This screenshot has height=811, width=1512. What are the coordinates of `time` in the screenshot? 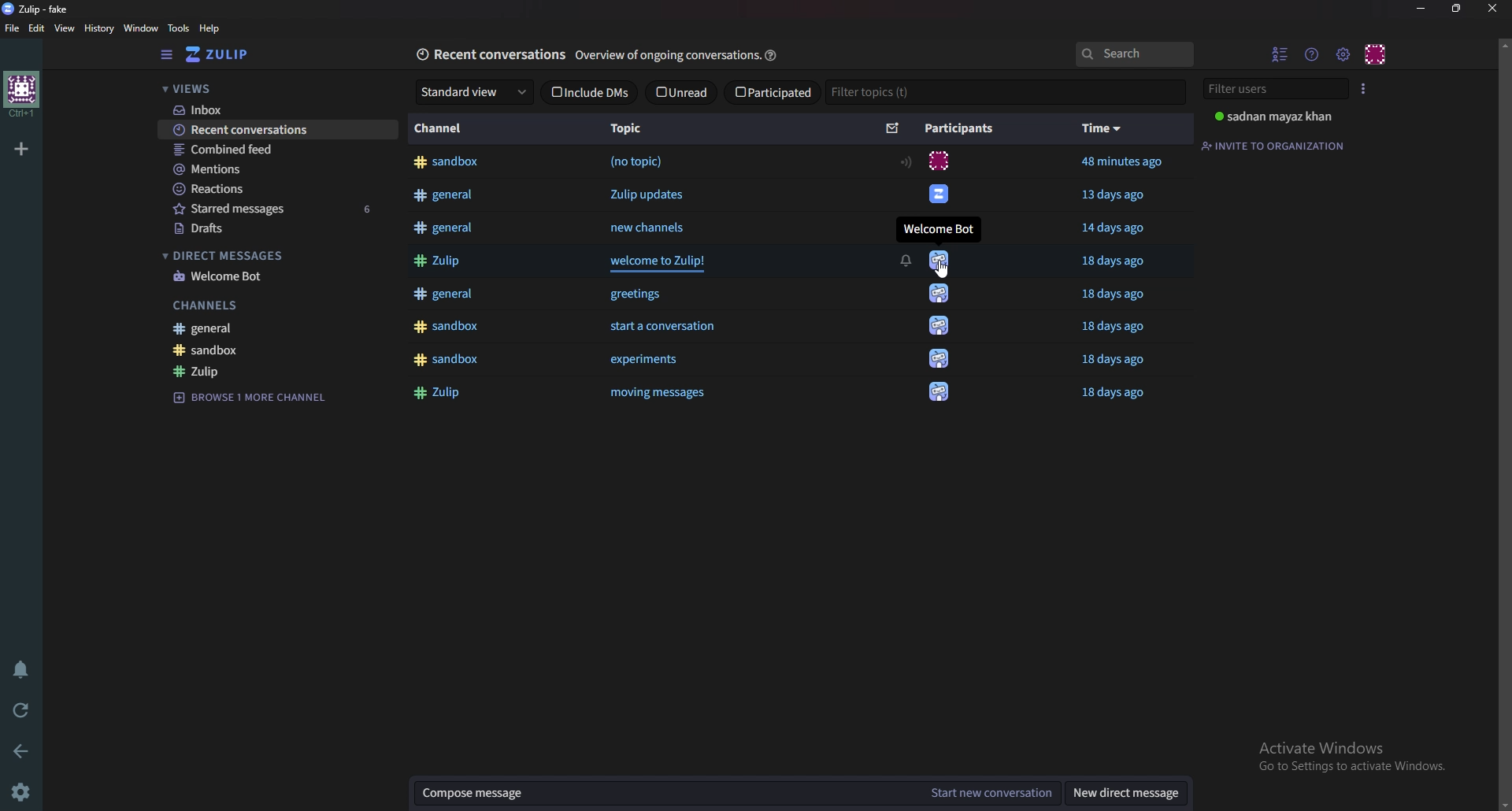 It's located at (1102, 130).